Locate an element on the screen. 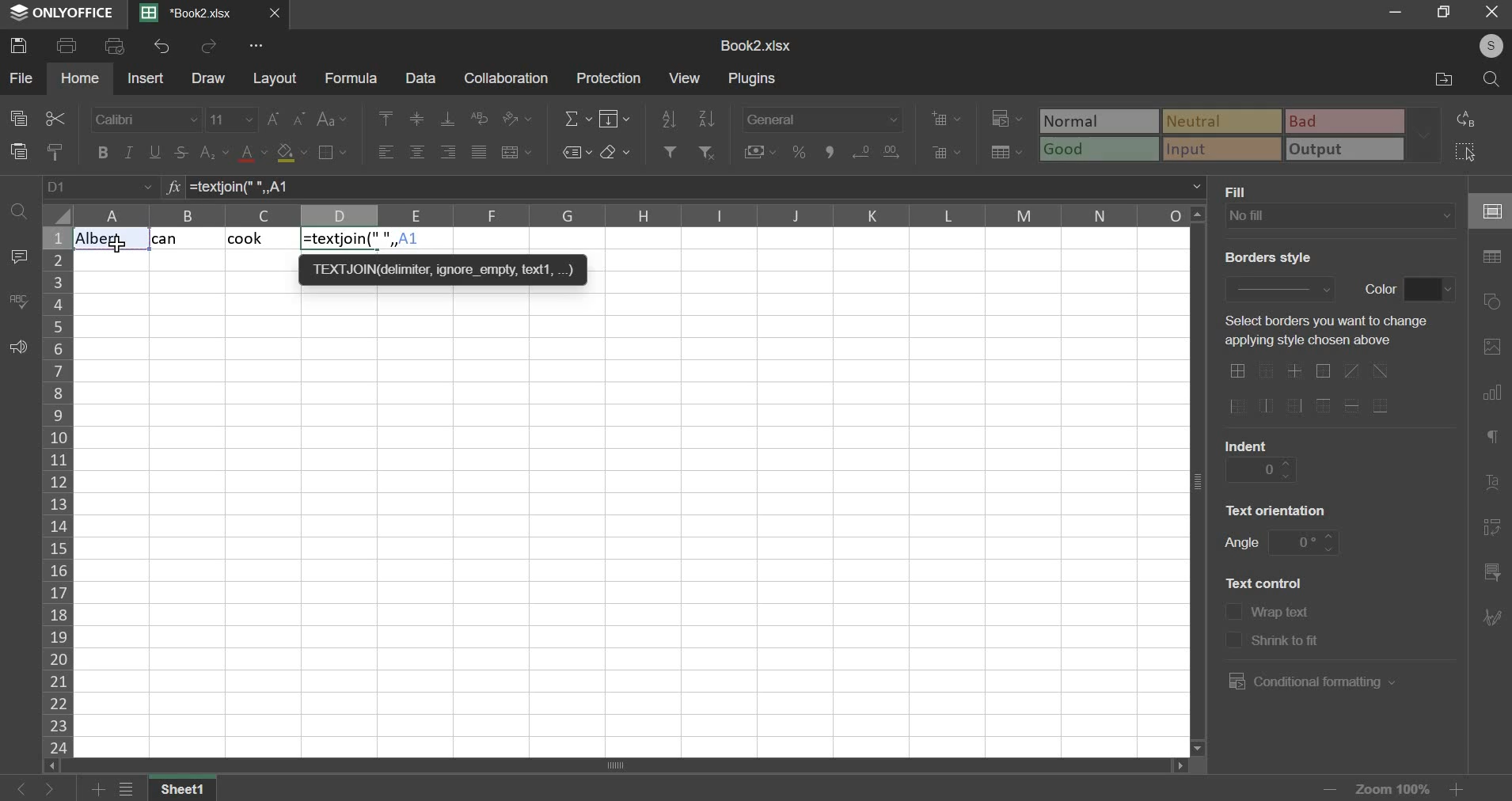 The height and width of the screenshot is (801, 1512). paragraph is located at coordinates (1491, 439).